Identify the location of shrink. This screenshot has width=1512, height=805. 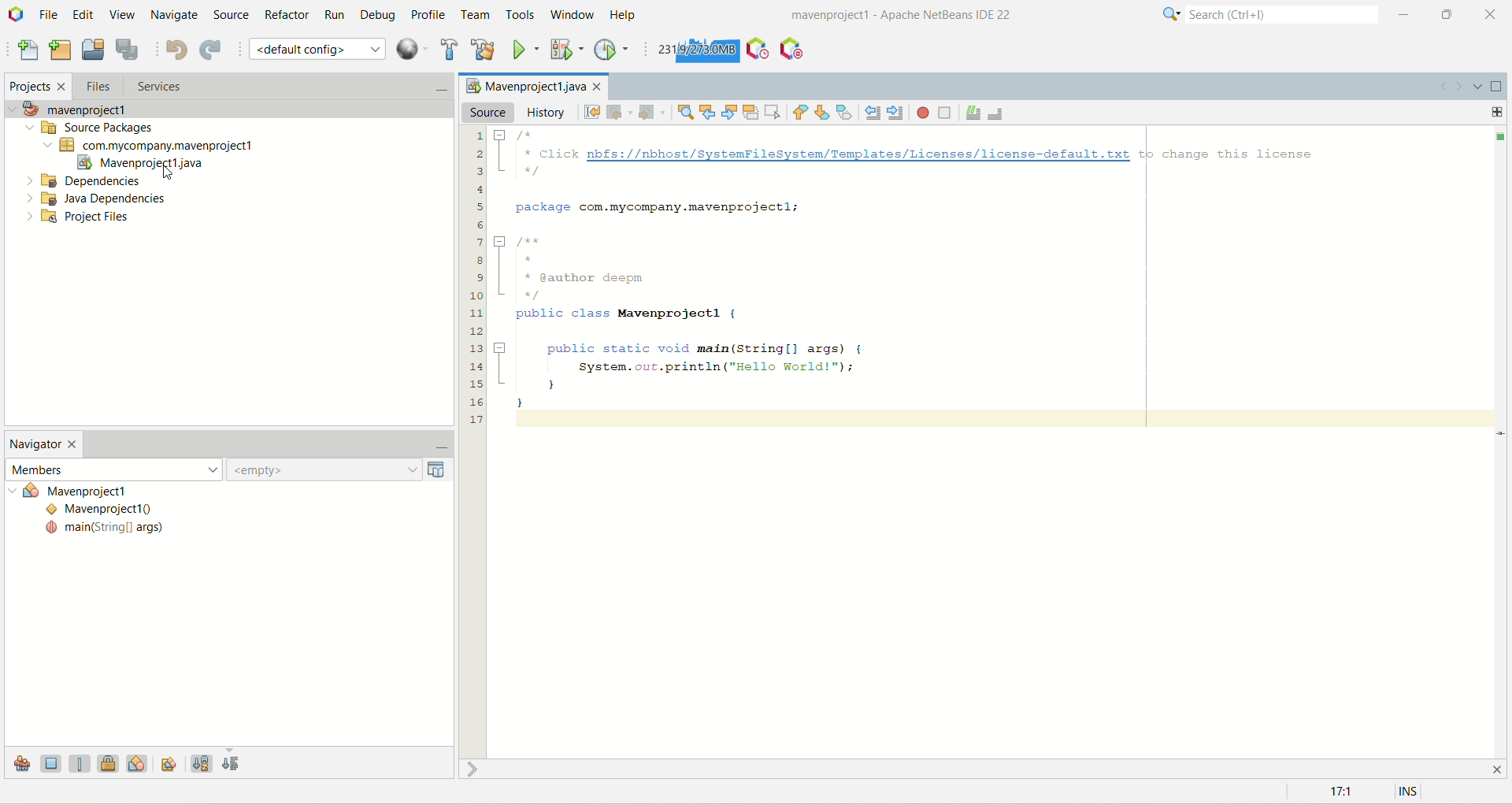
(475, 769).